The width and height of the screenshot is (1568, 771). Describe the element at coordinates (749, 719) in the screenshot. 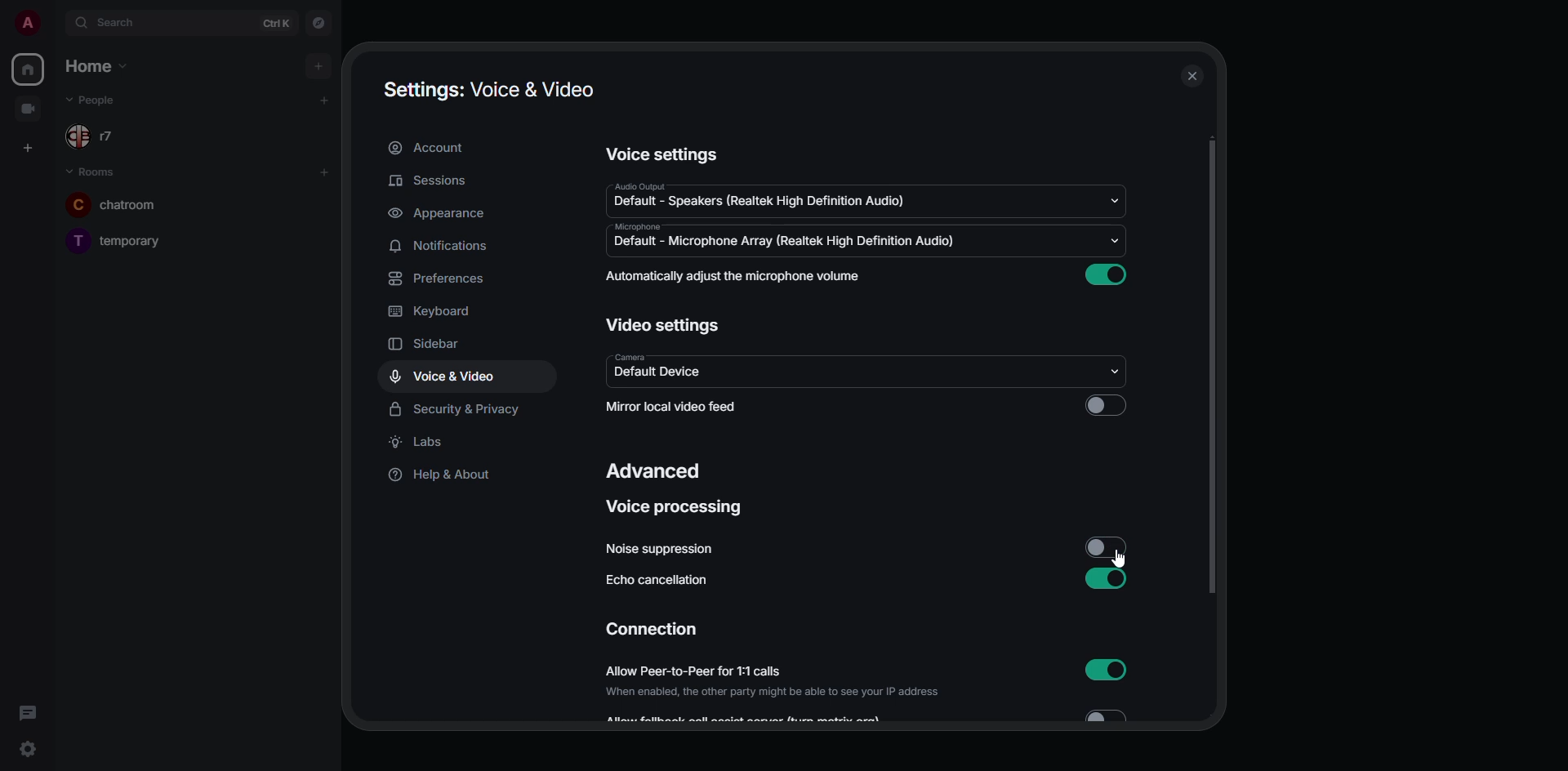

I see `Allow...` at that location.